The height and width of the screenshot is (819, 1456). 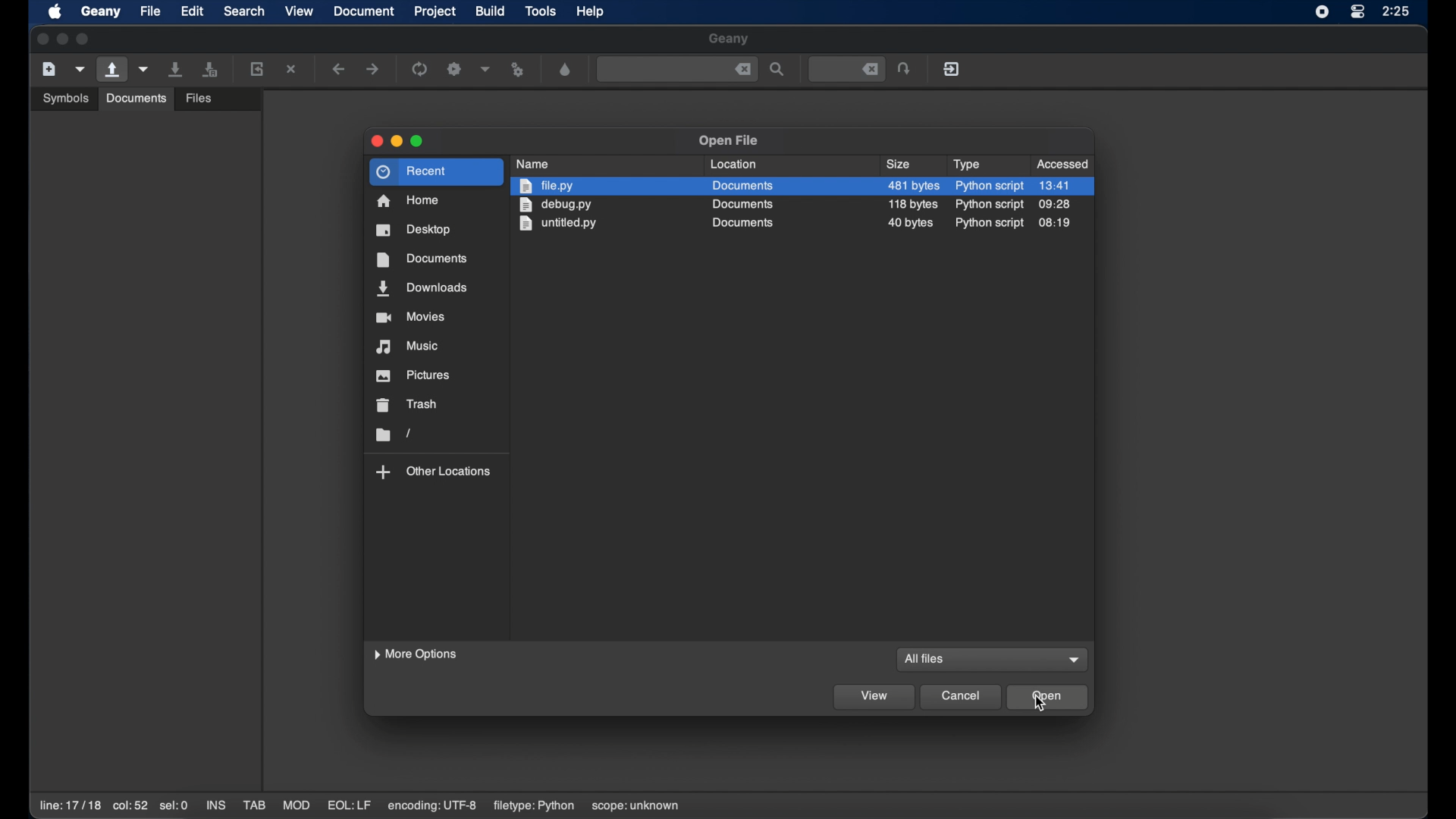 I want to click on edit, so click(x=193, y=11).